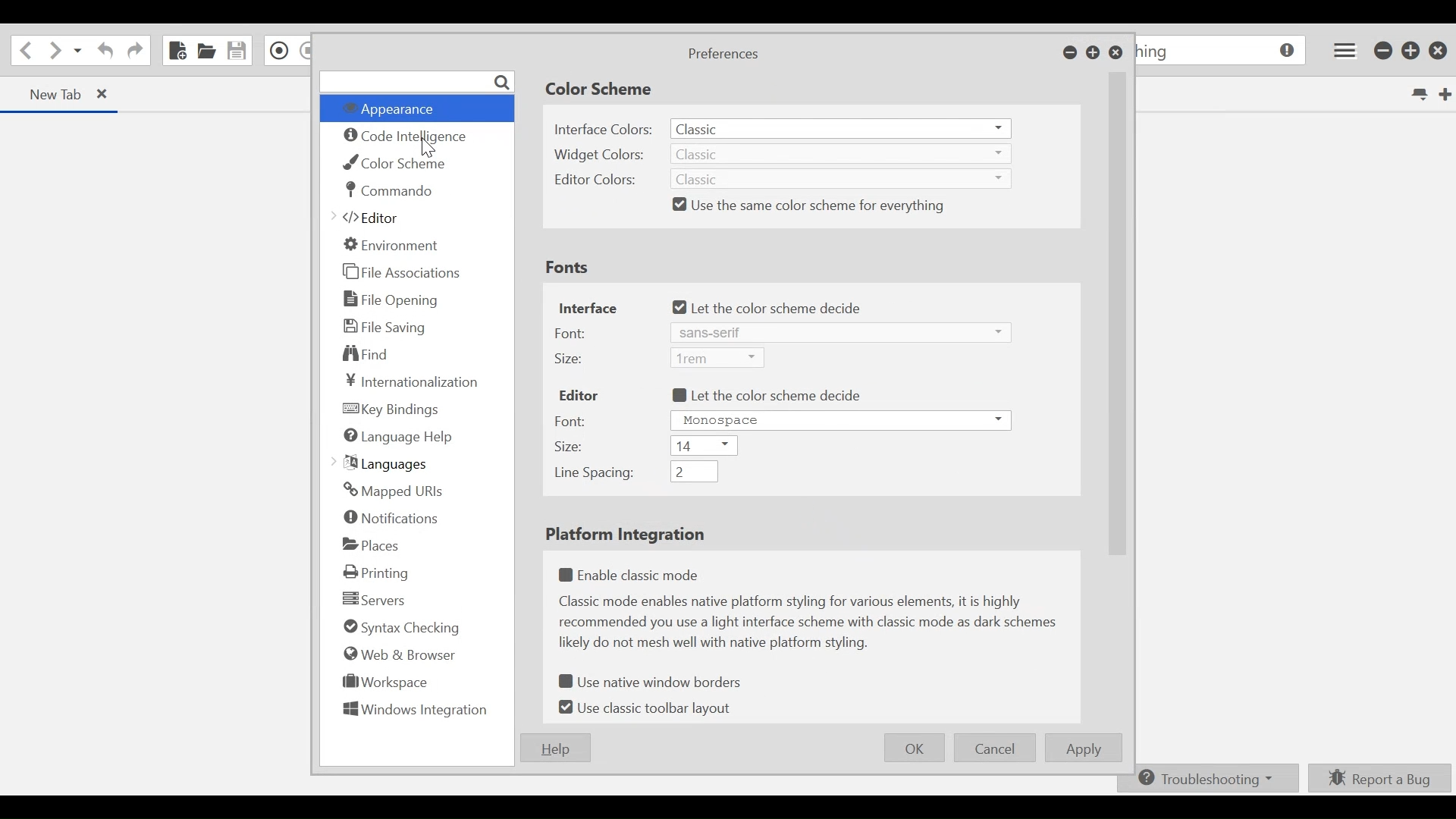 Image resolution: width=1456 pixels, height=819 pixels. I want to click on  Use native window borders, so click(658, 683).